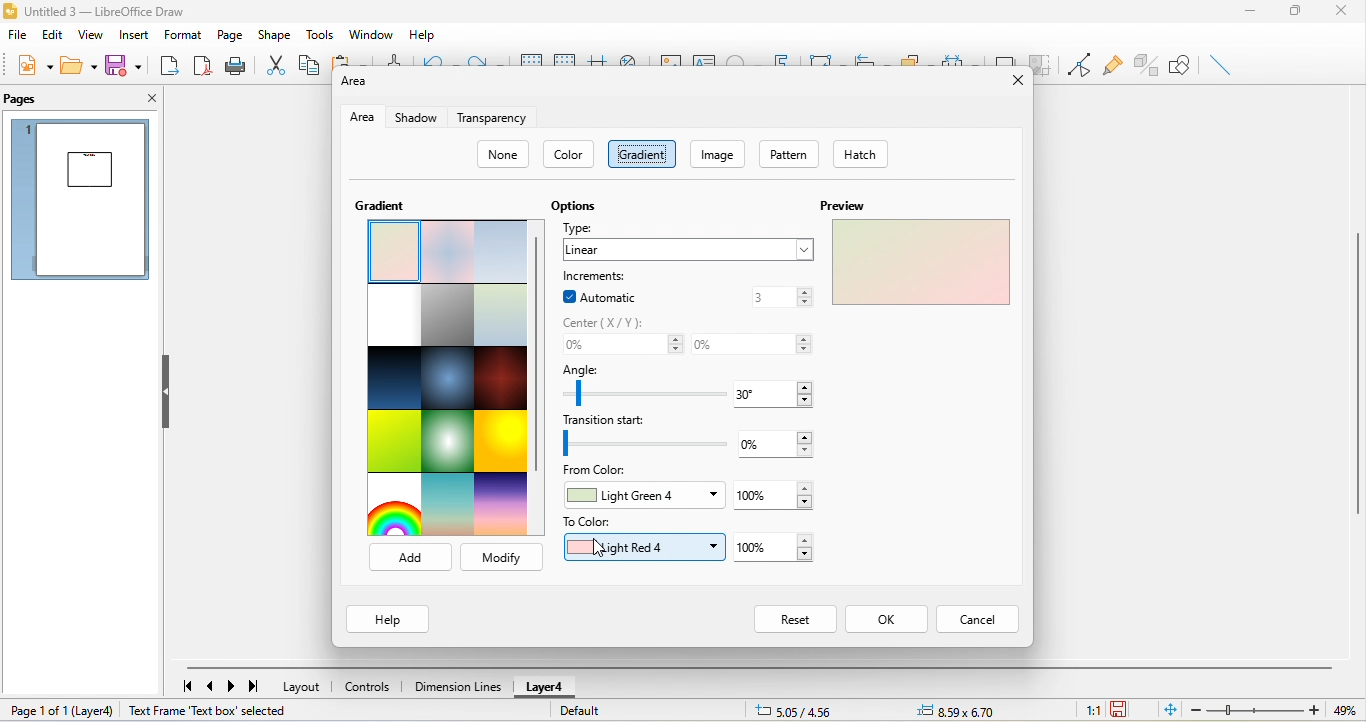 This screenshot has width=1366, height=722. I want to click on set to color-100%, so click(780, 548).